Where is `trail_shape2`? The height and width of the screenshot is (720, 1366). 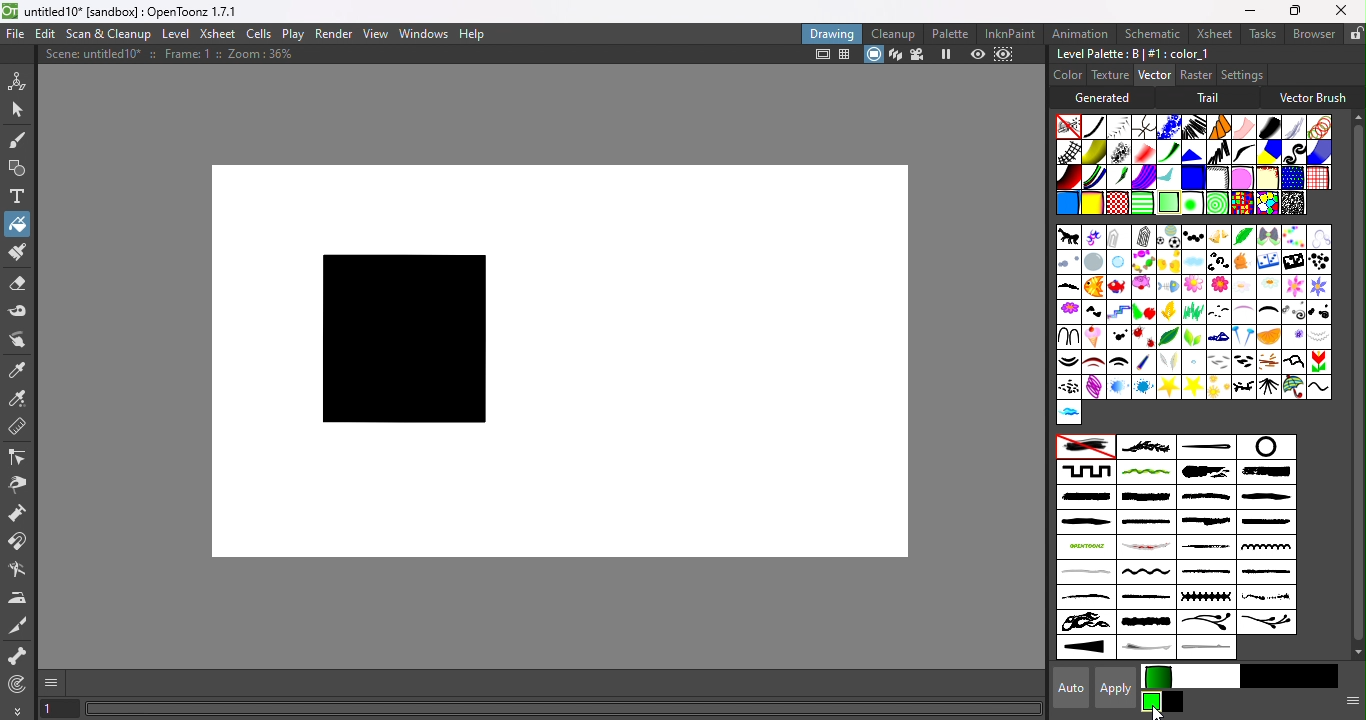
trail_shape2 is located at coordinates (1210, 648).